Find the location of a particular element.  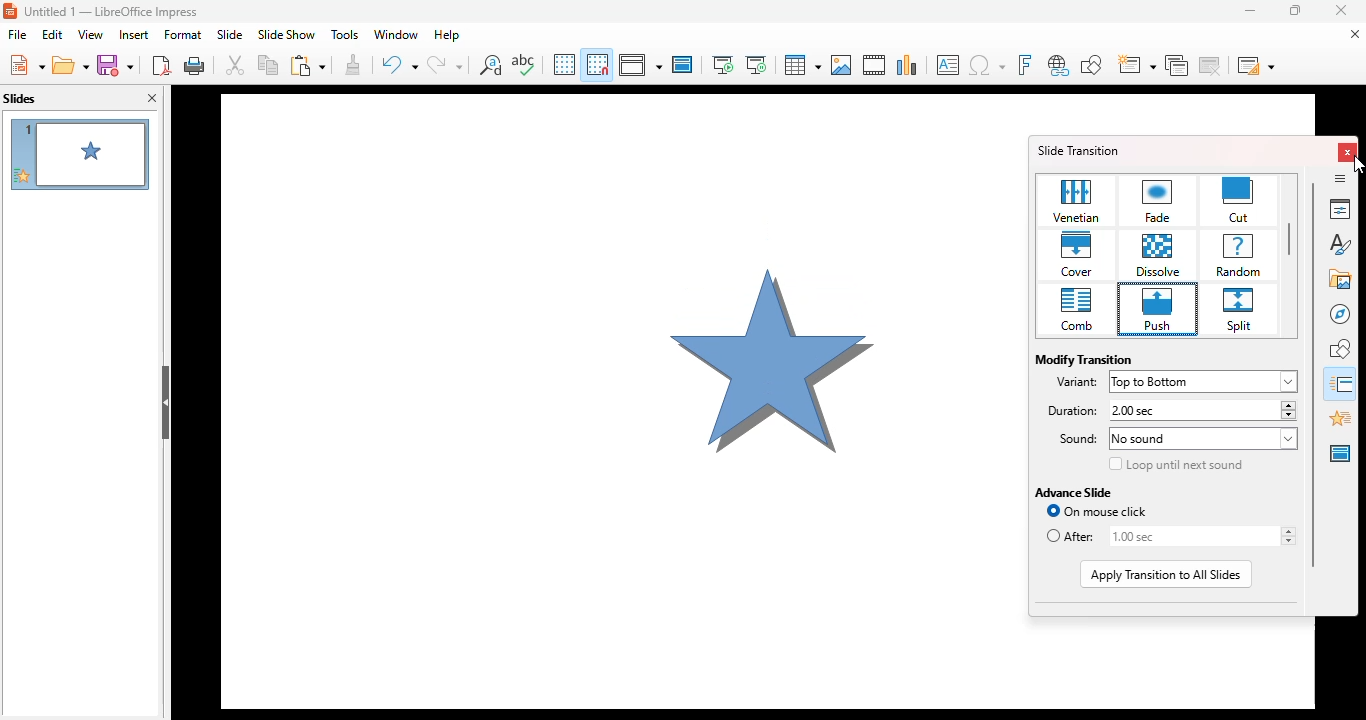

export directly as PDF is located at coordinates (161, 64).